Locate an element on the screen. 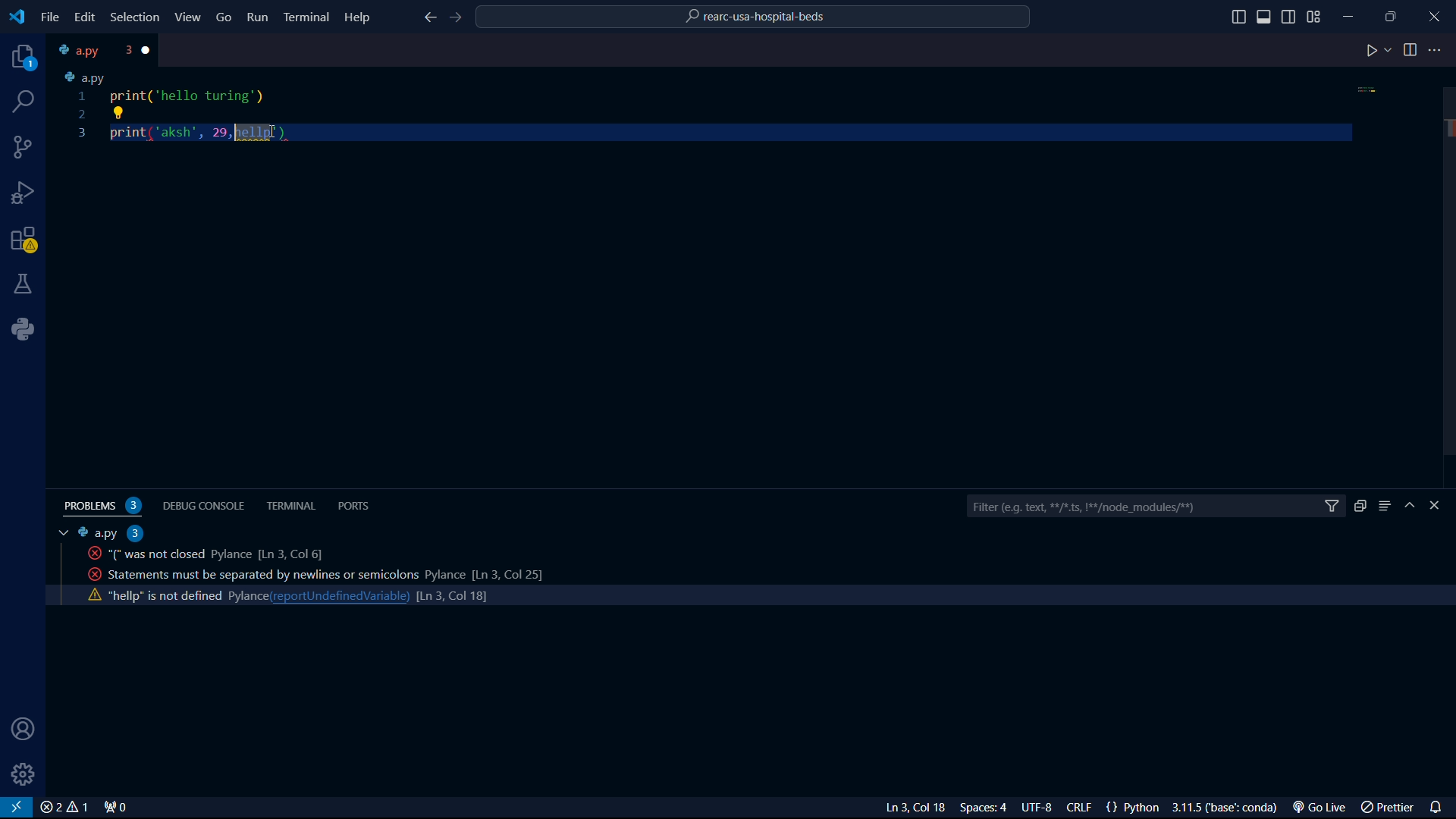  activity code is located at coordinates (166, 594).